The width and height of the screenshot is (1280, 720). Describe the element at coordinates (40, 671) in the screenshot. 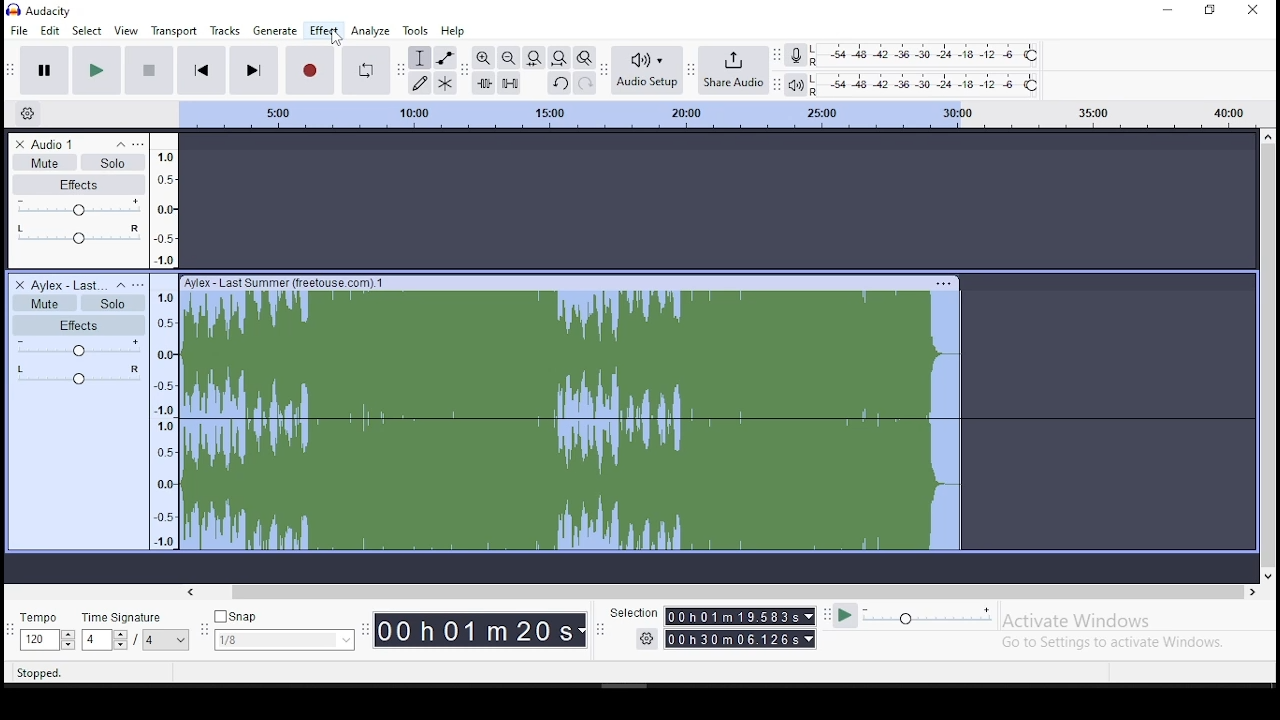

I see `stopped` at that location.